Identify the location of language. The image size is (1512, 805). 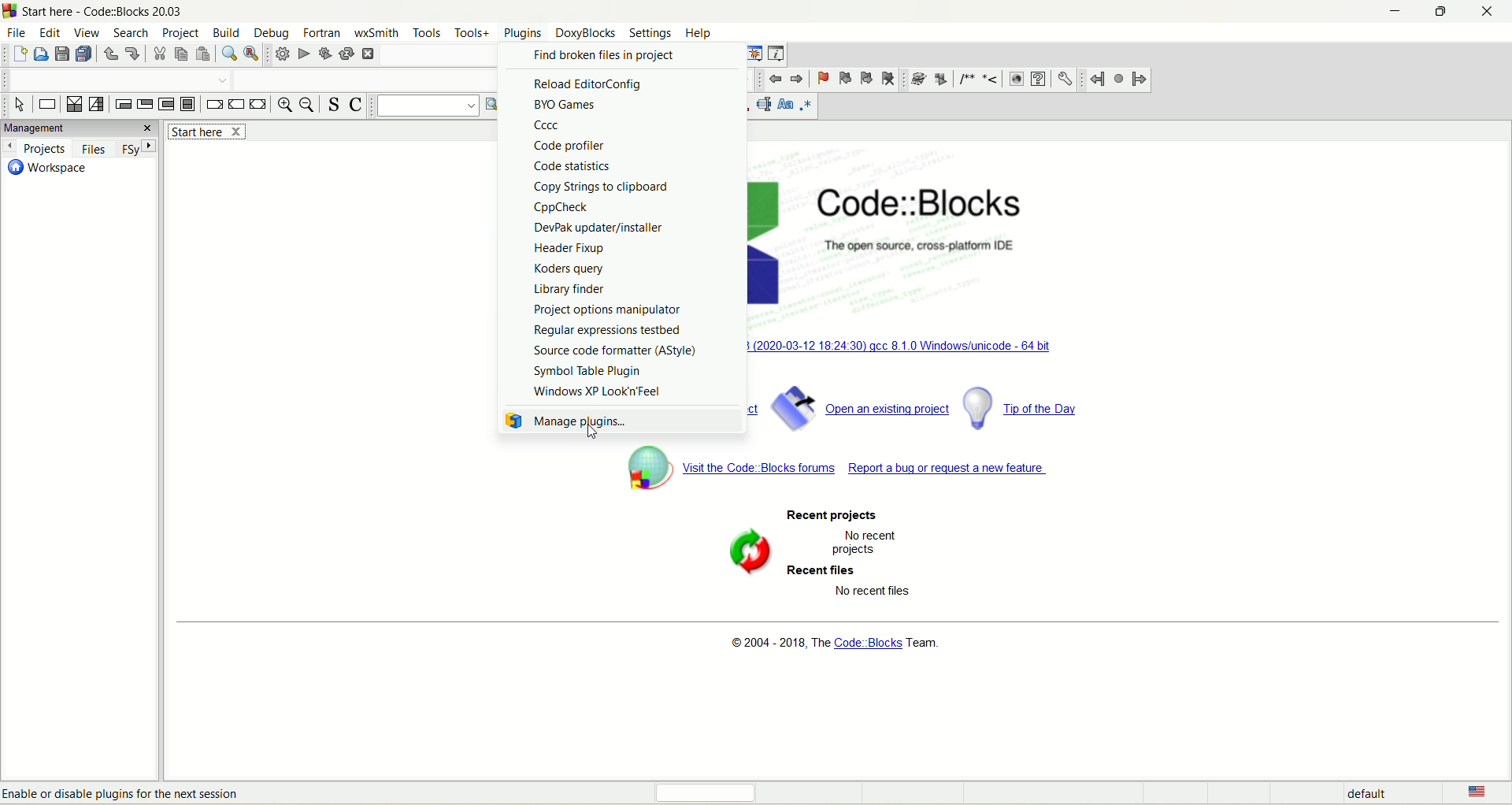
(1471, 793).